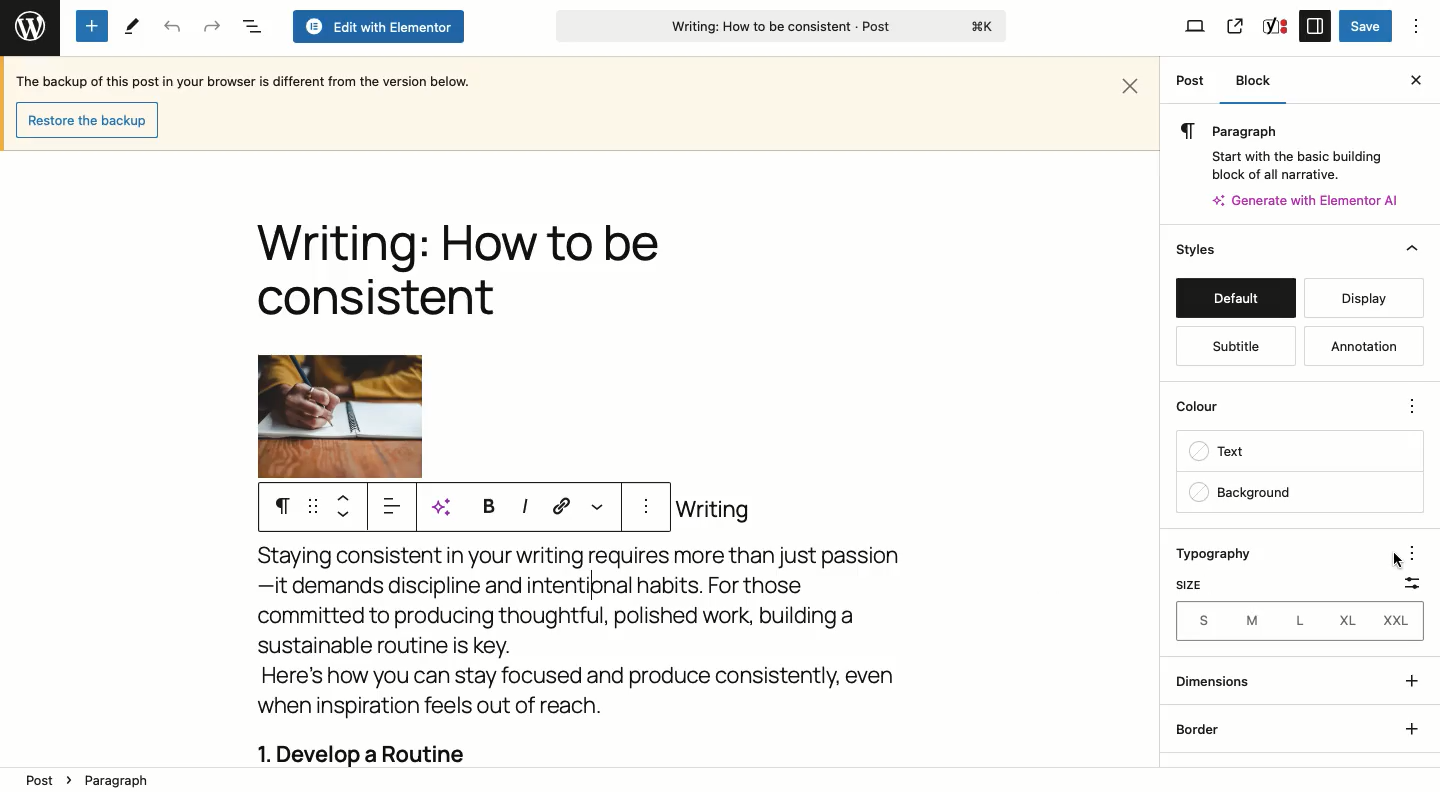 This screenshot has width=1440, height=792. Describe the element at coordinates (598, 586) in the screenshot. I see `typing` at that location.